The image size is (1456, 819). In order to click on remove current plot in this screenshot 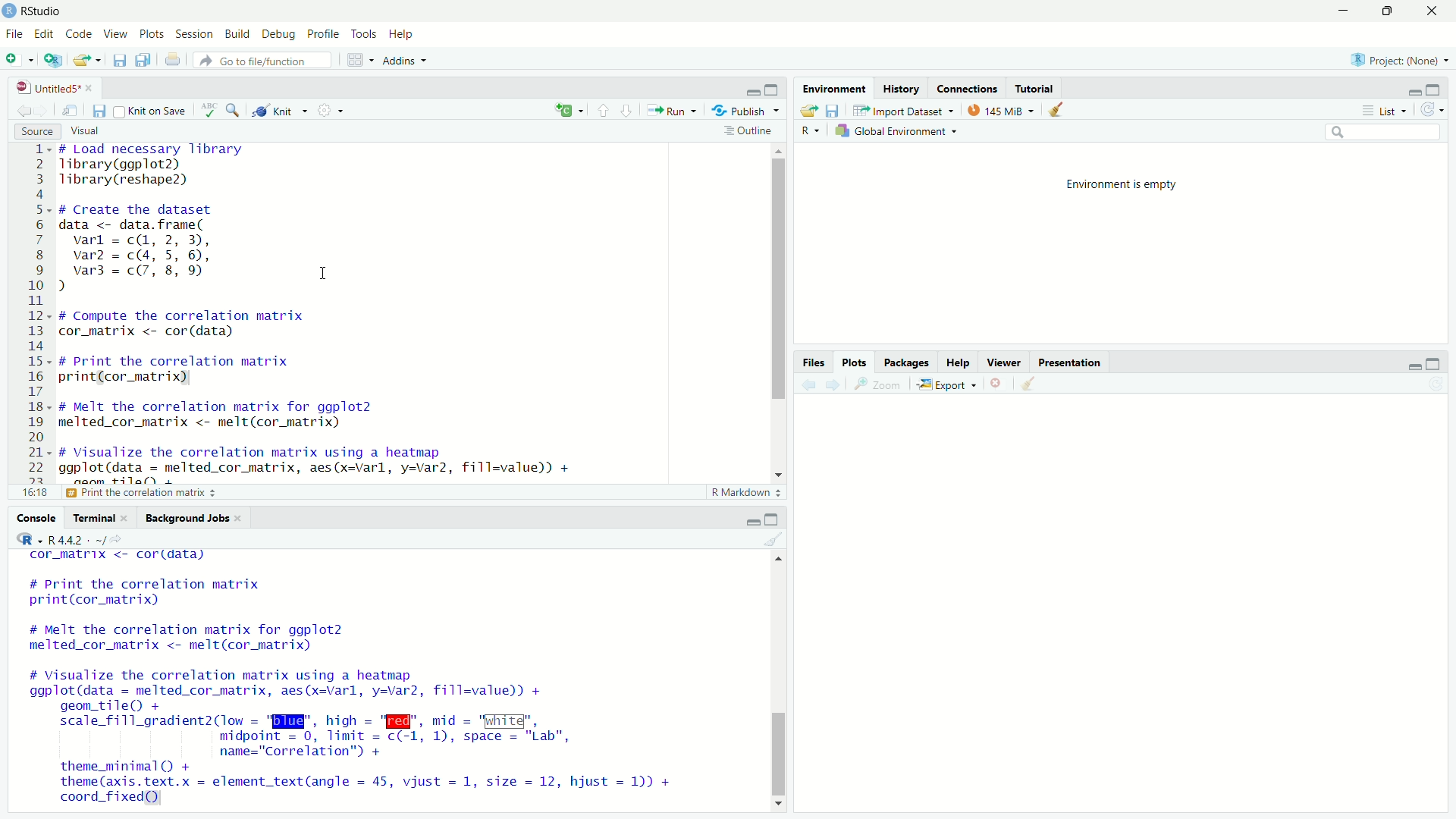, I will do `click(998, 383)`.